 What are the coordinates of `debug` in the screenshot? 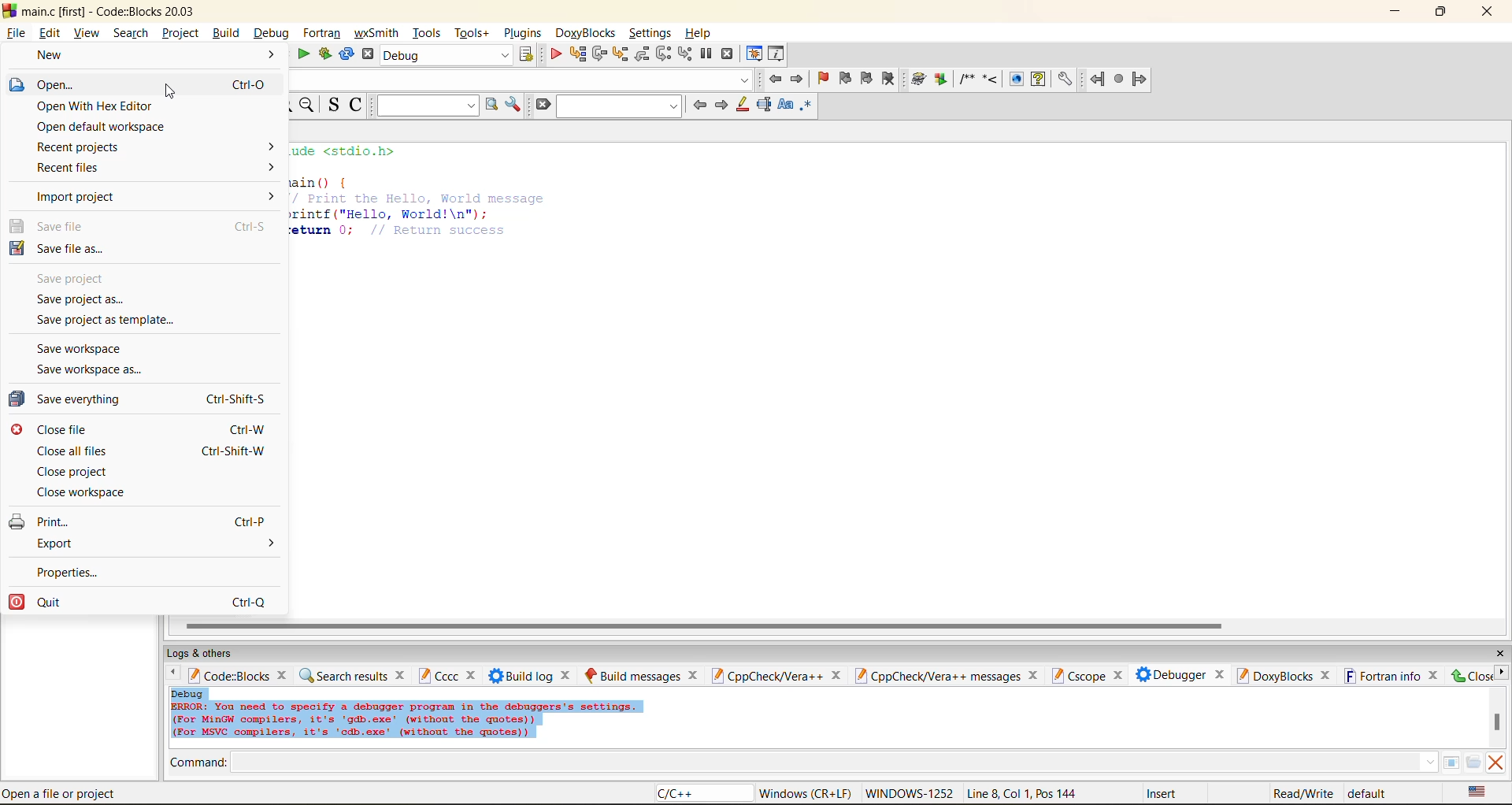 It's located at (188, 693).